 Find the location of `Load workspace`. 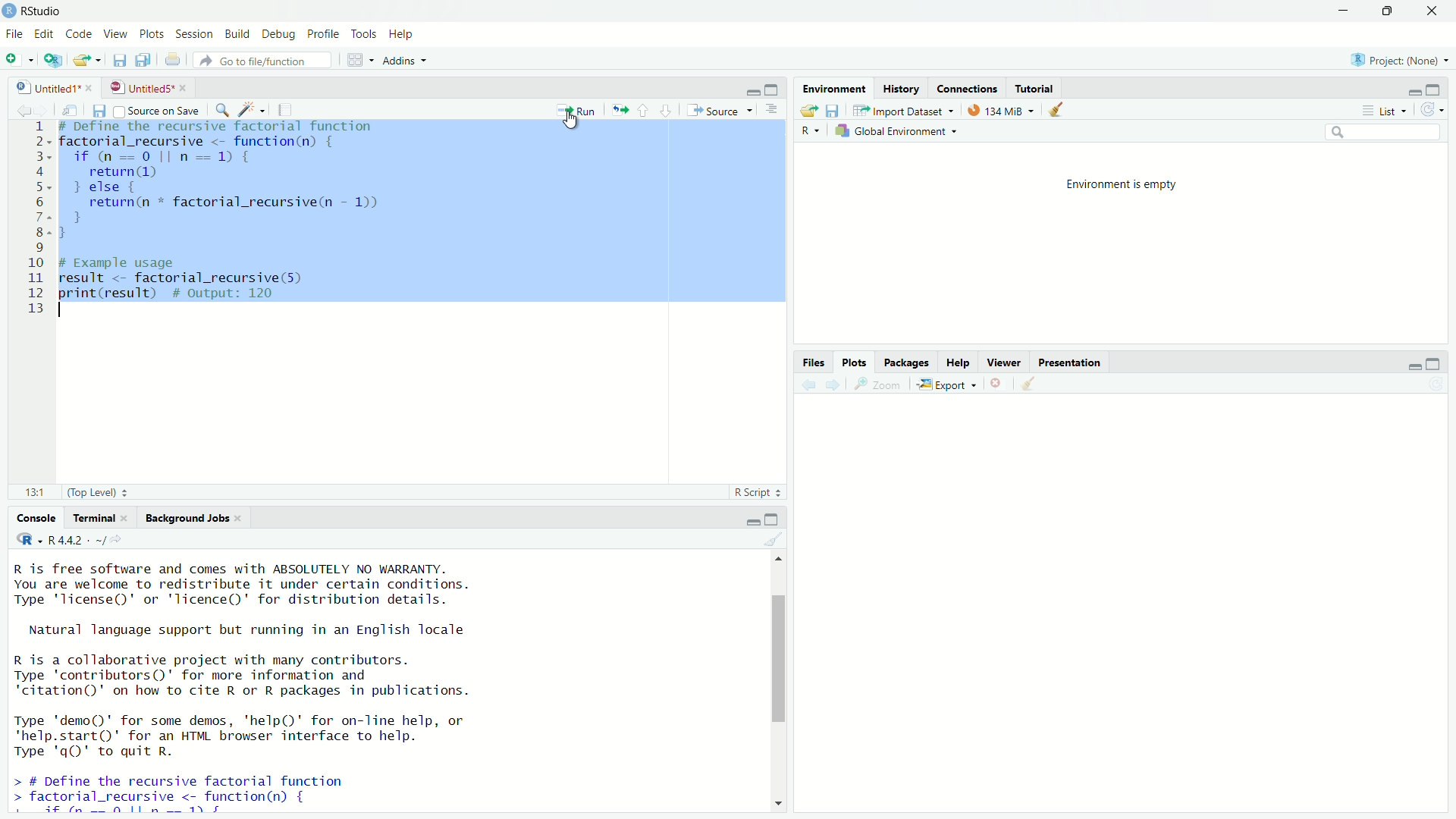

Load workspace is located at coordinates (807, 109).